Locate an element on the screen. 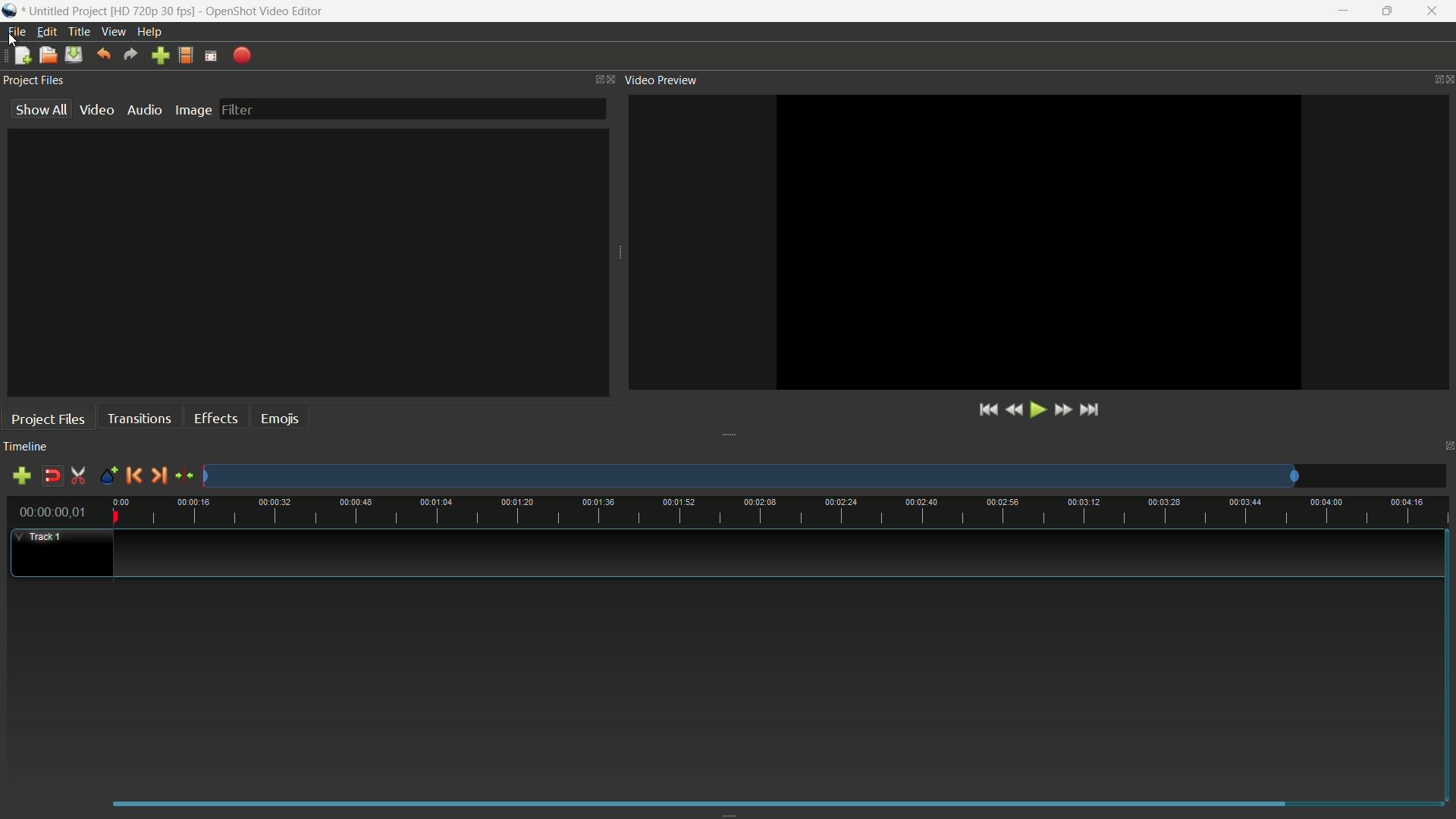 This screenshot has height=819, width=1456. project name is located at coordinates (66, 11).